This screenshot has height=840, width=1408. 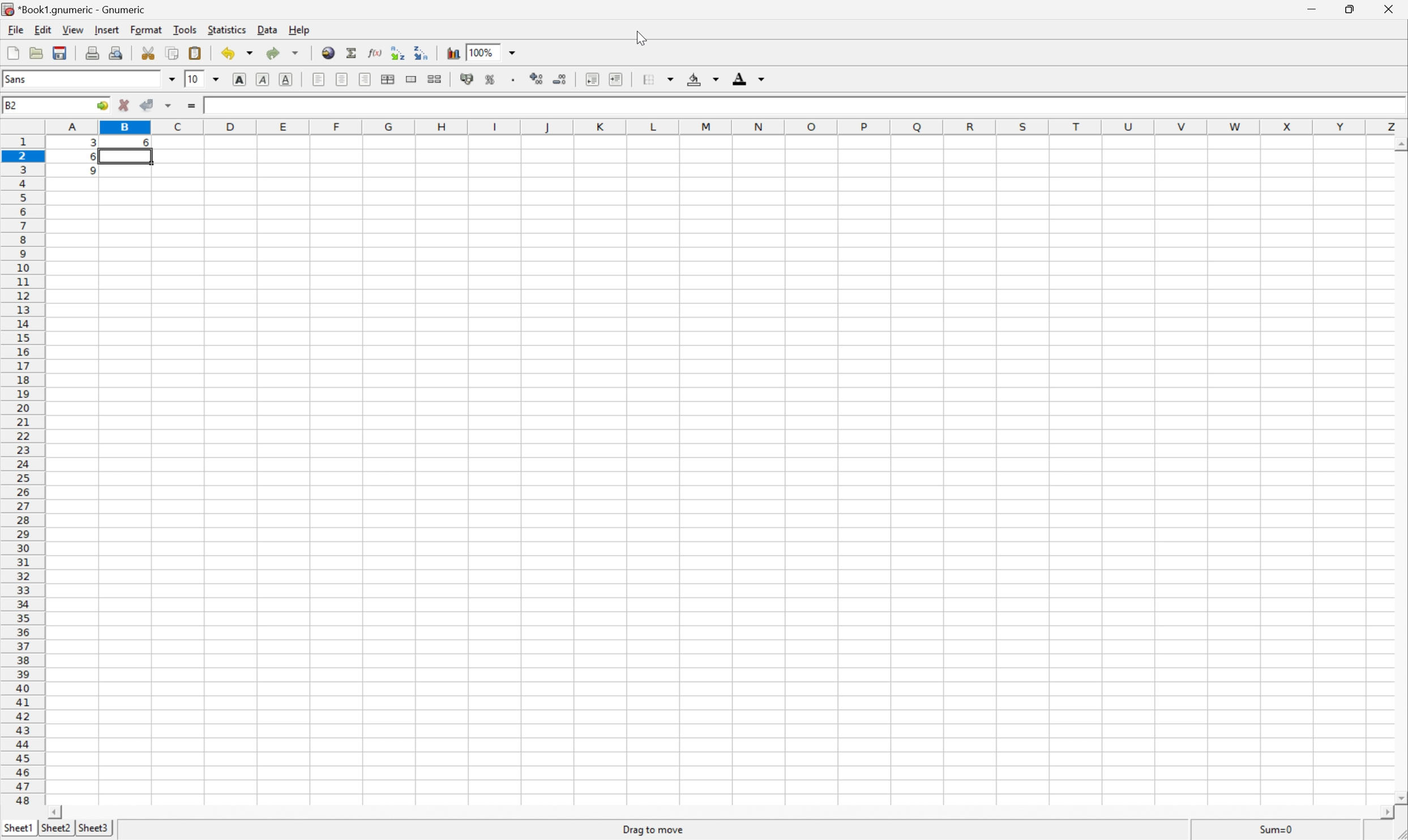 I want to click on 5, so click(x=89, y=173).